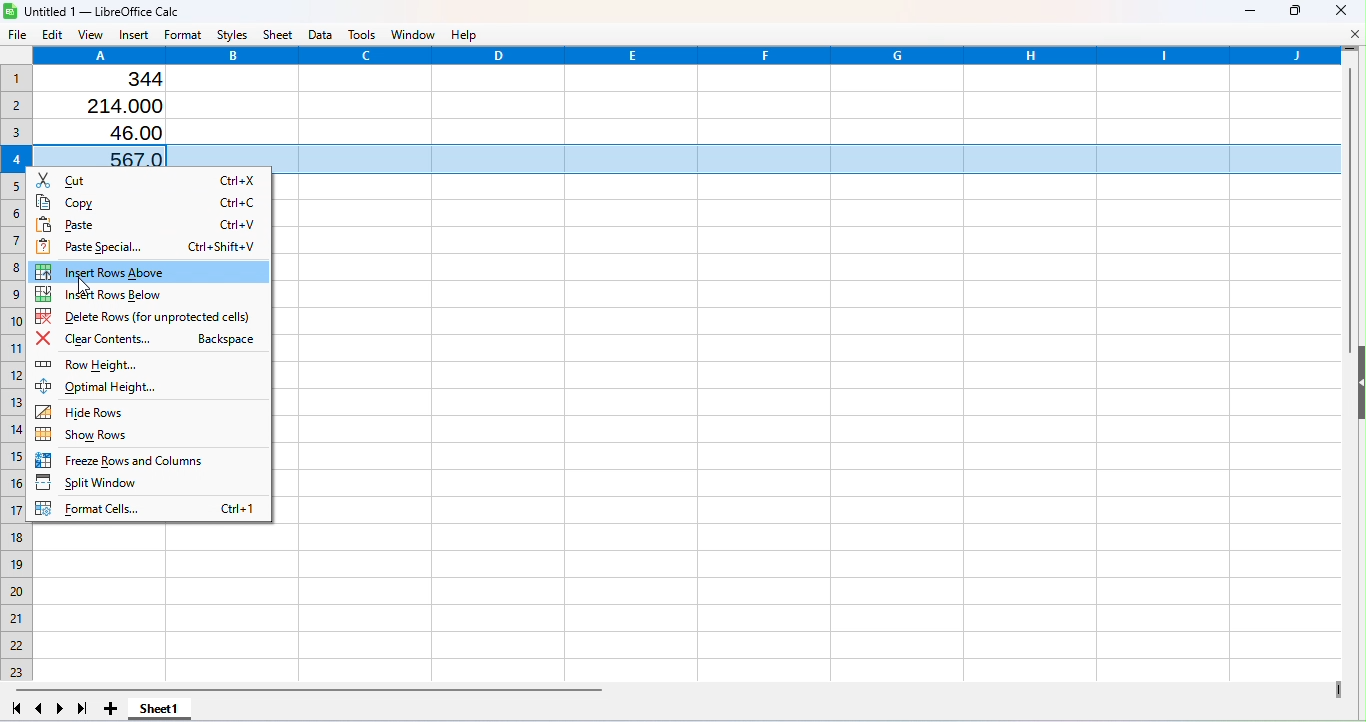  I want to click on Styles, so click(232, 33).